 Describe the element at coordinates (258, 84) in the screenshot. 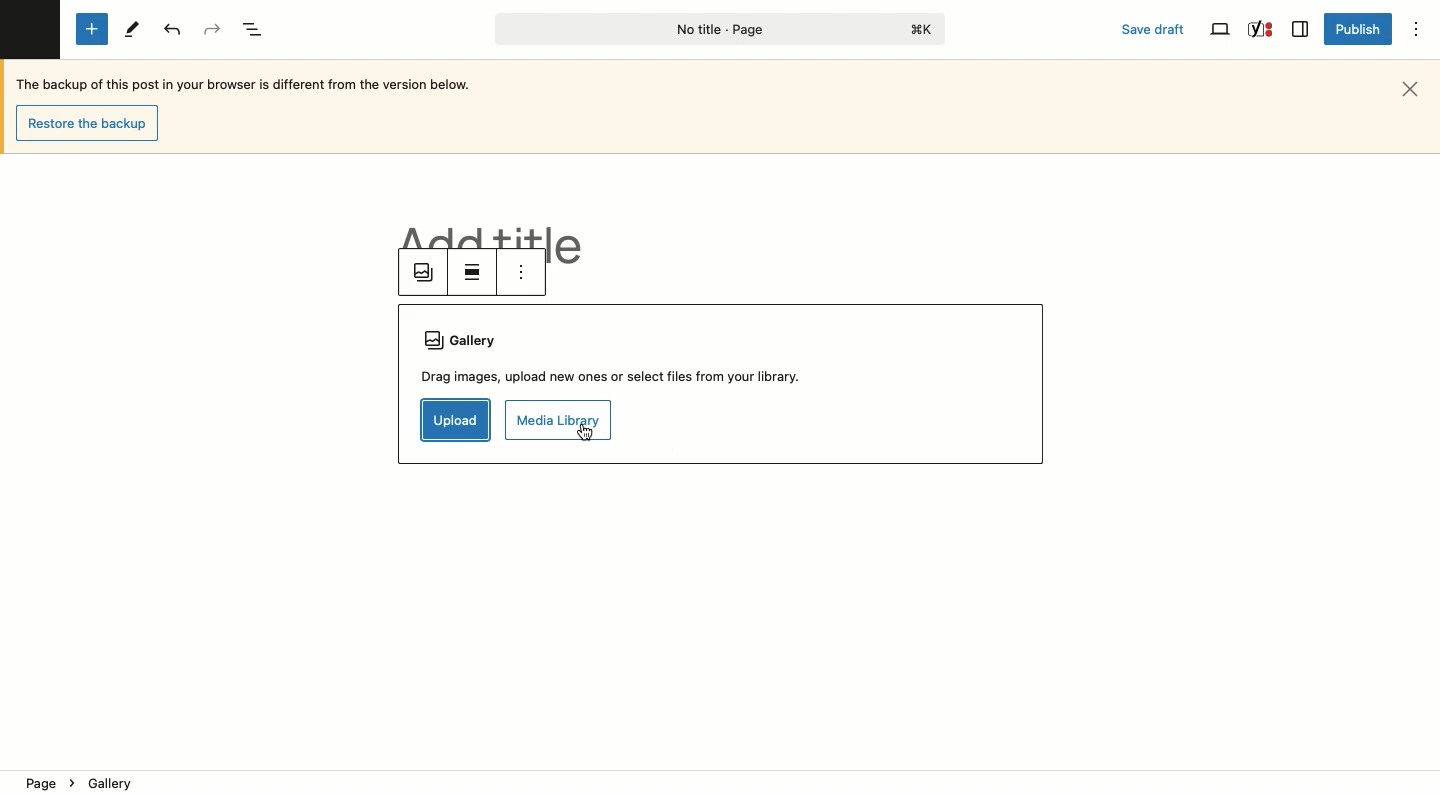

I see `he backup of this post in your browser is different from the version below.` at that location.